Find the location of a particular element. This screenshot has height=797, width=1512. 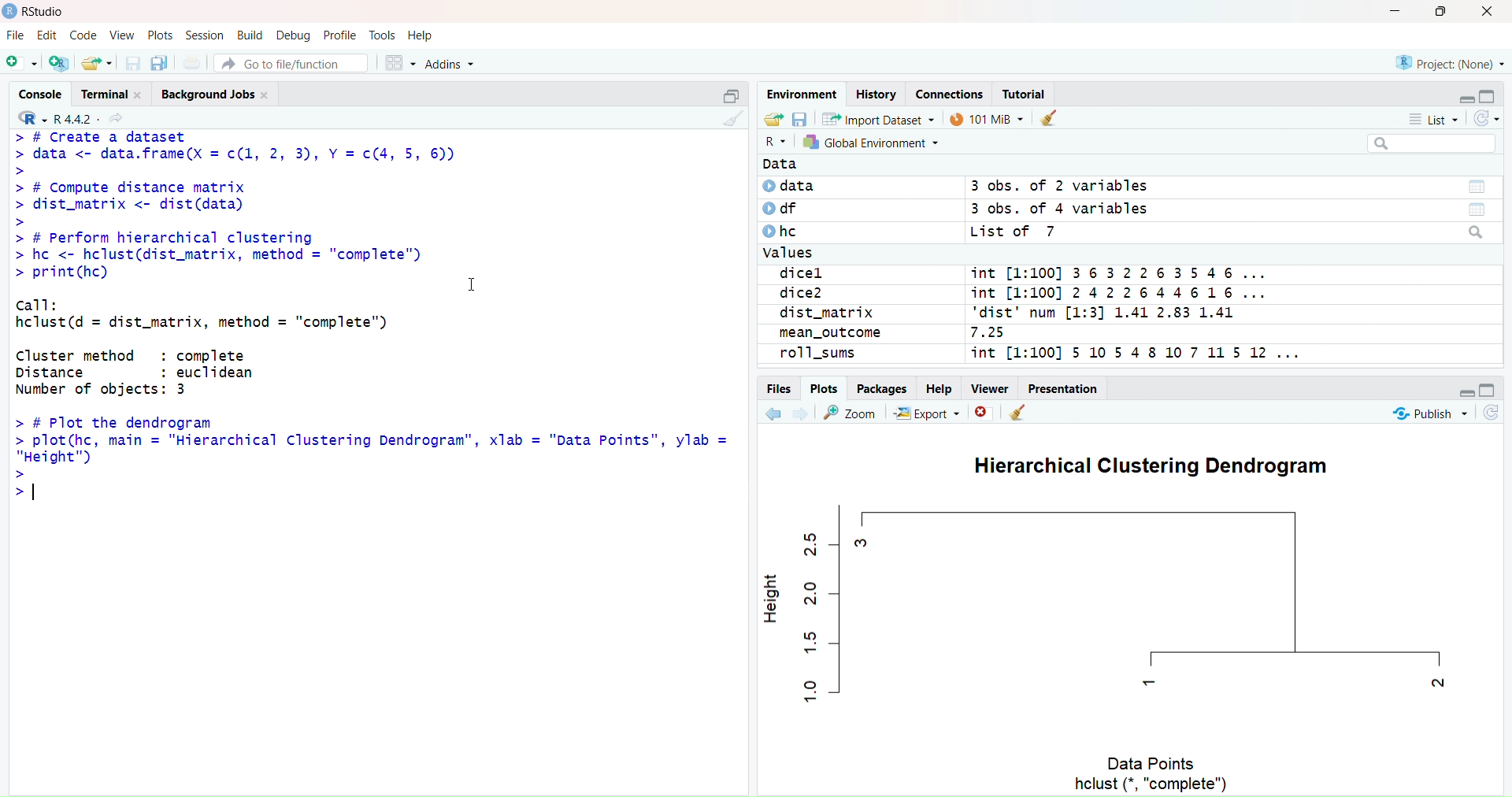

Go back to the previous source location (Ctrl + F9) is located at coordinates (773, 413).